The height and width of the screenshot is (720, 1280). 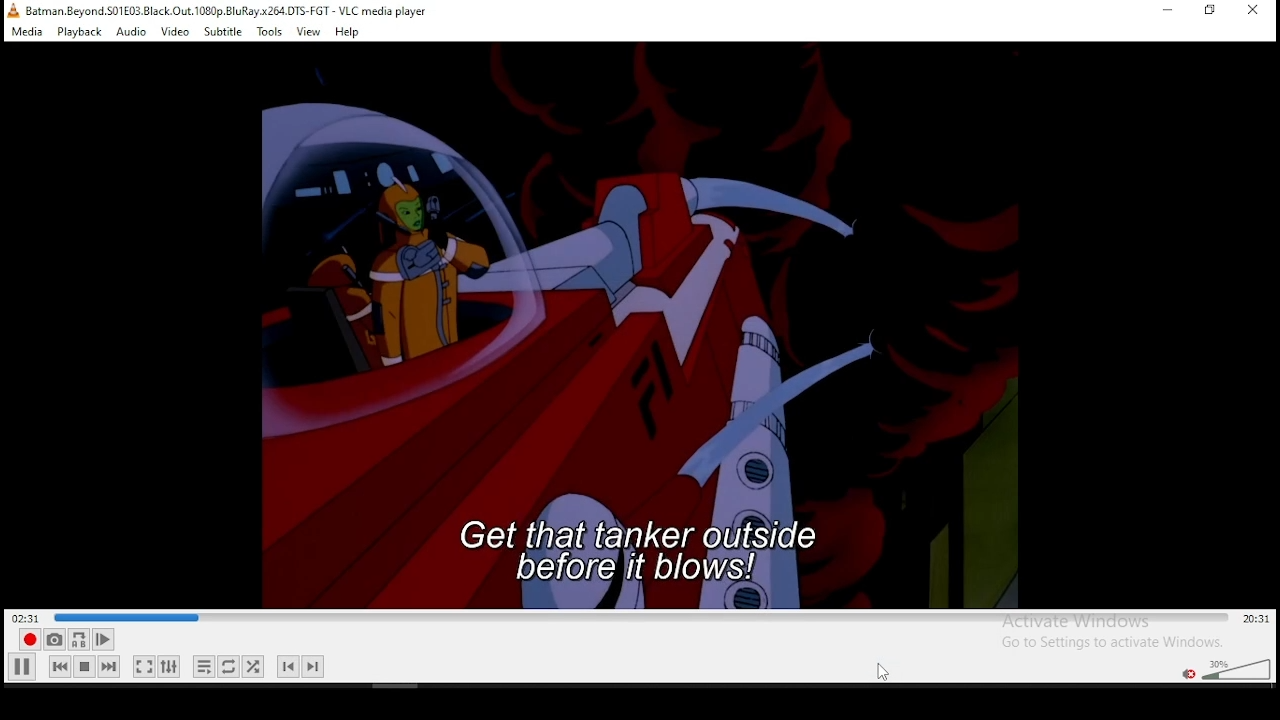 I want to click on close window, so click(x=1255, y=12).